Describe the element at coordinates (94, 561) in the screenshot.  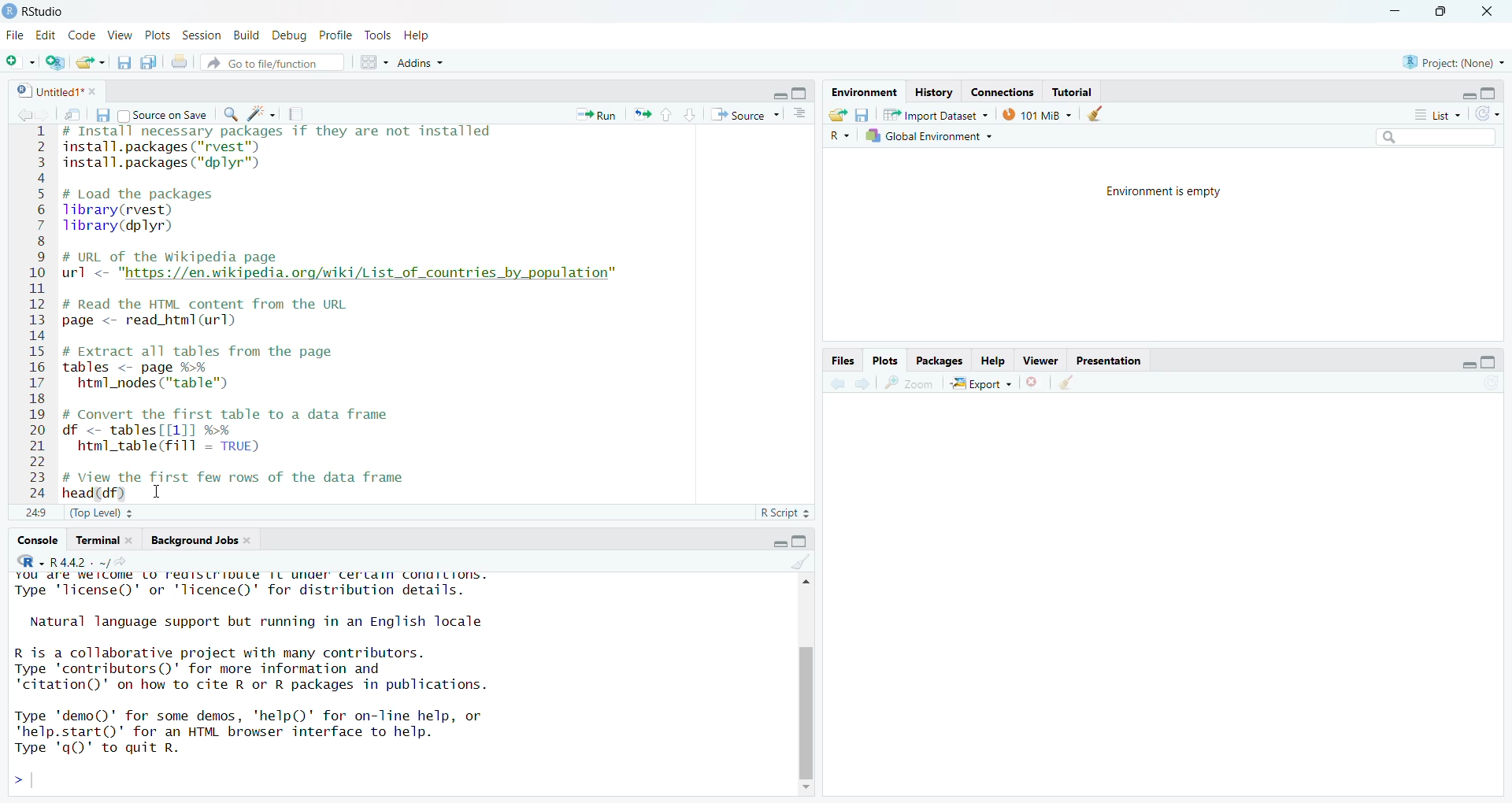
I see `R 4.4.2 .~/` at that location.